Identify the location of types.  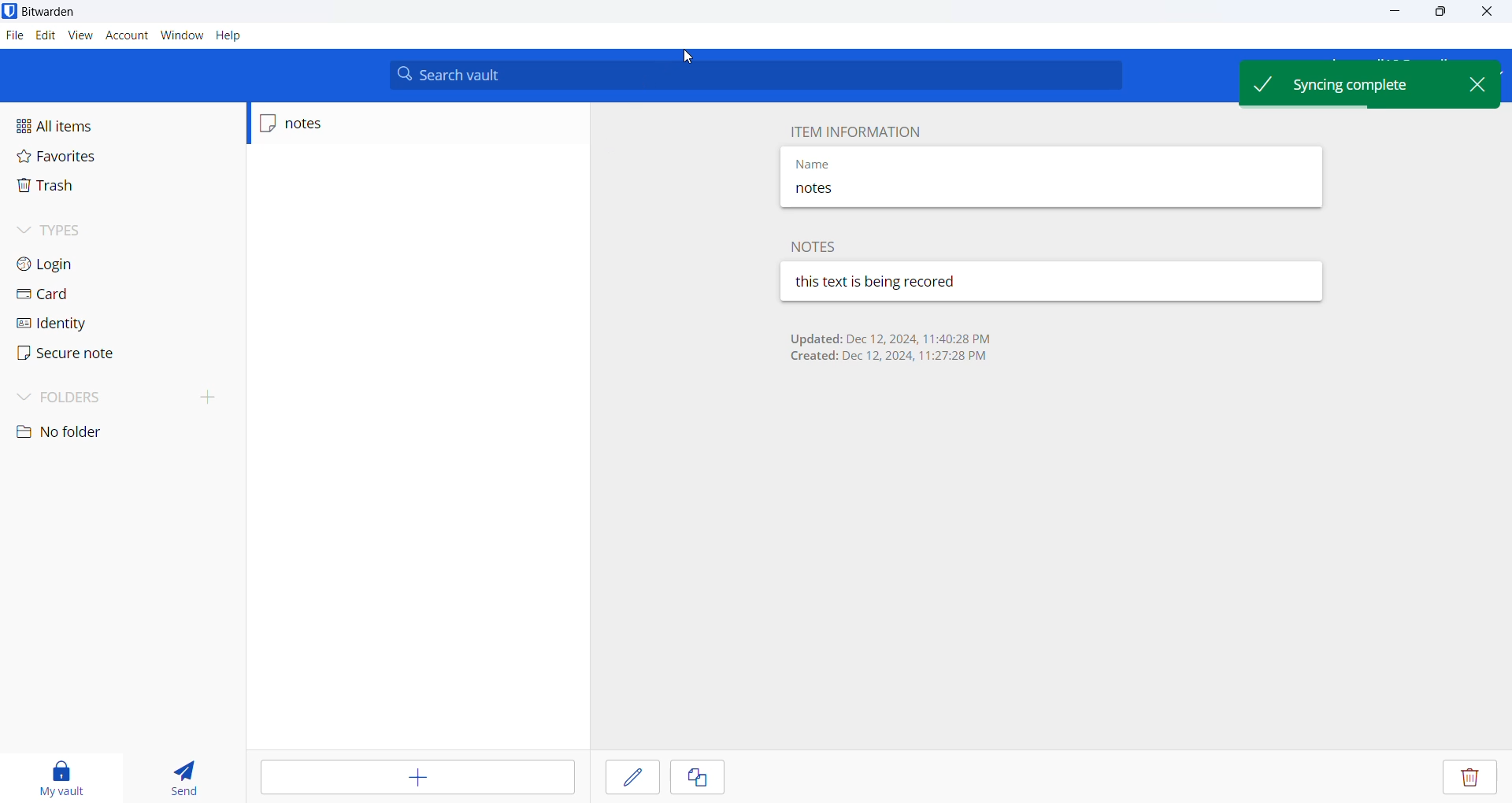
(72, 230).